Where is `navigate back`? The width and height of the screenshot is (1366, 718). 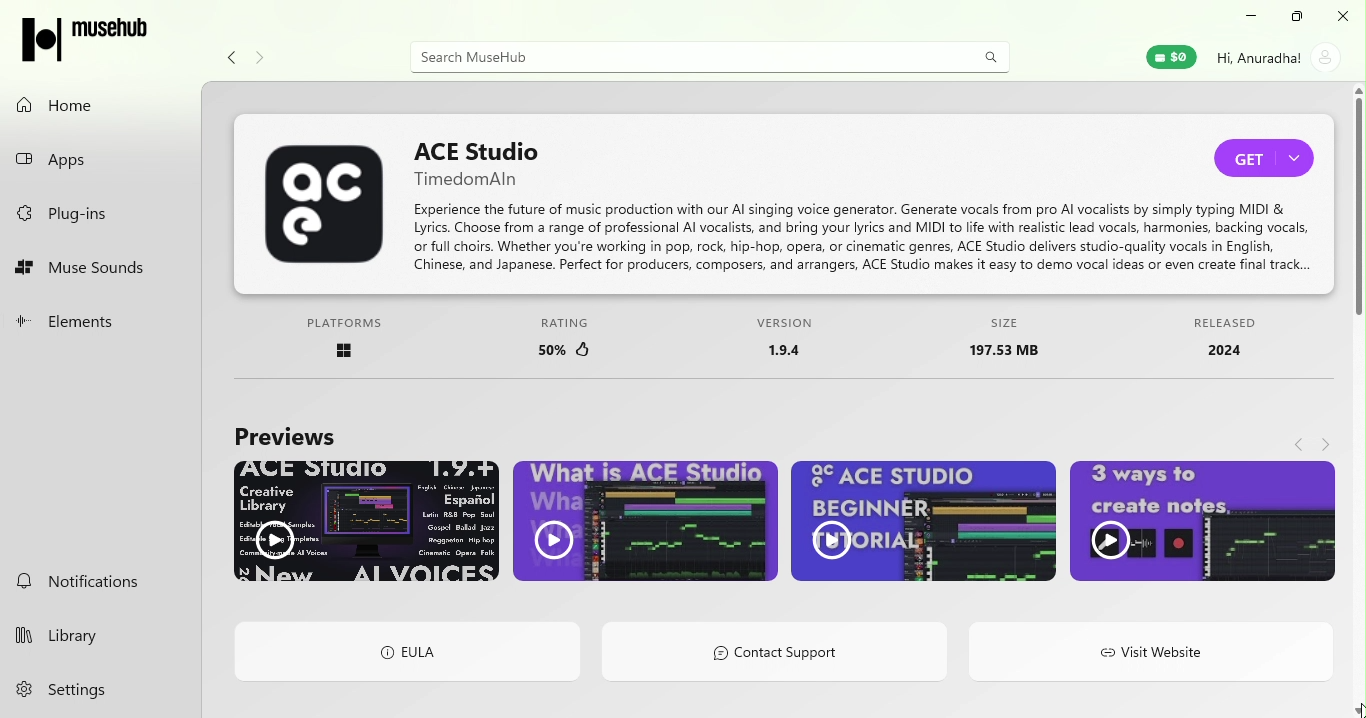 navigate back is located at coordinates (232, 55).